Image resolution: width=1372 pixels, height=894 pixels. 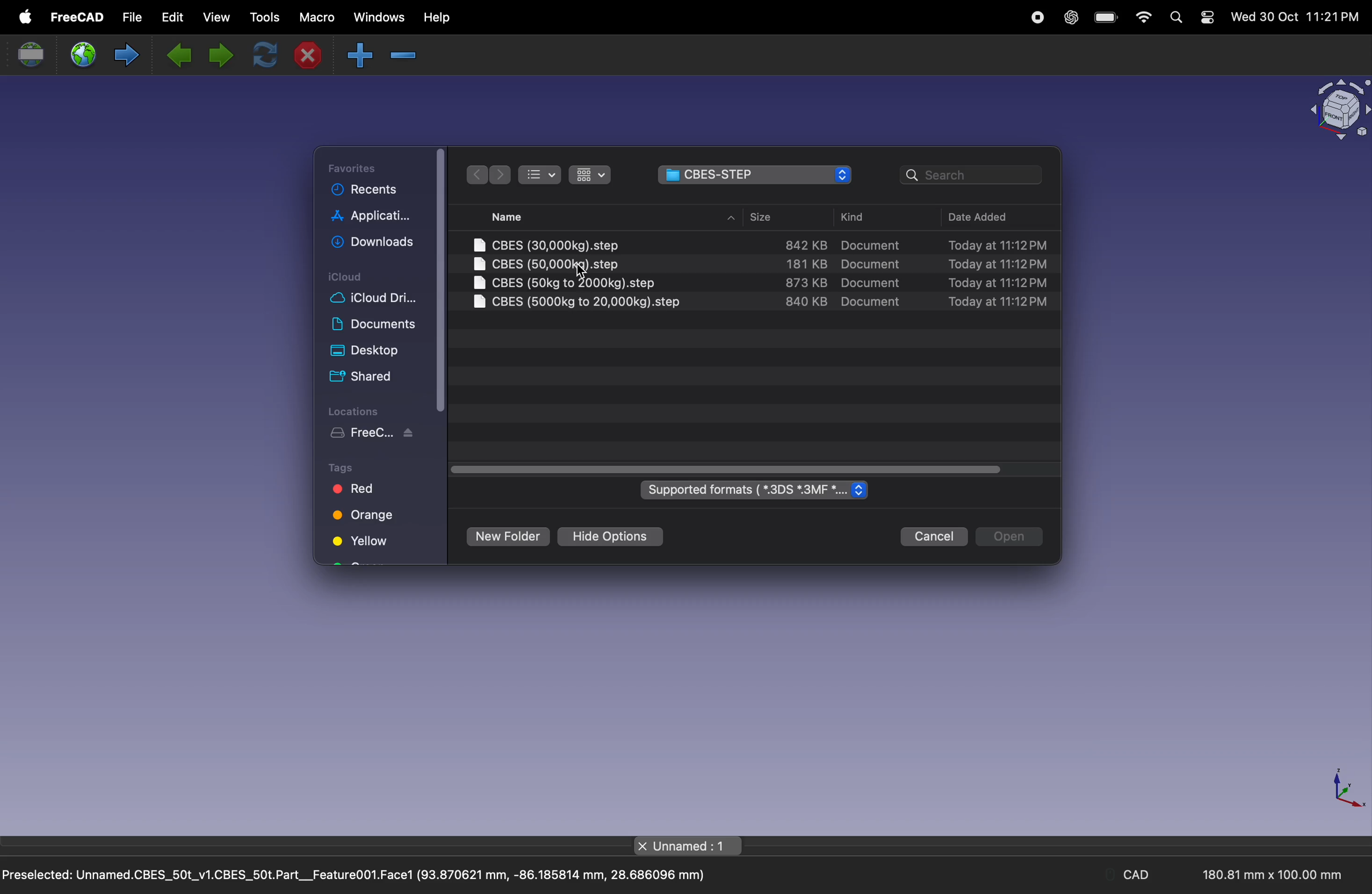 I want to click on Preselected: Unnamed.CBES_50t_v1.CBES_50t.Part__Feature001.Face1 (93.870621 mm, -86.185814 mm, 28.686096 mm), so click(x=355, y=877).